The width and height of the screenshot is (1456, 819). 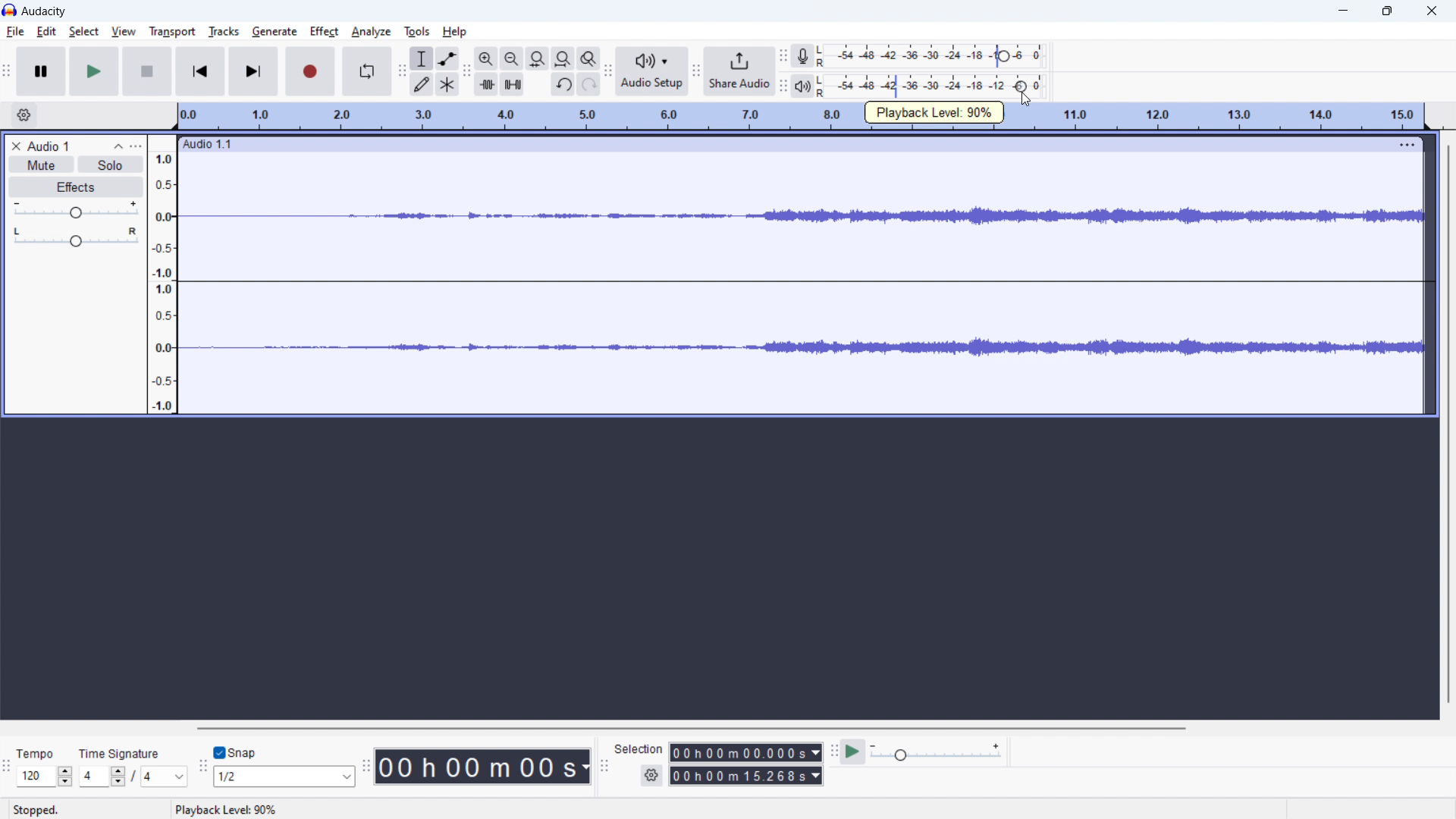 What do you see at coordinates (400, 70) in the screenshot?
I see `tools toolbar` at bounding box center [400, 70].